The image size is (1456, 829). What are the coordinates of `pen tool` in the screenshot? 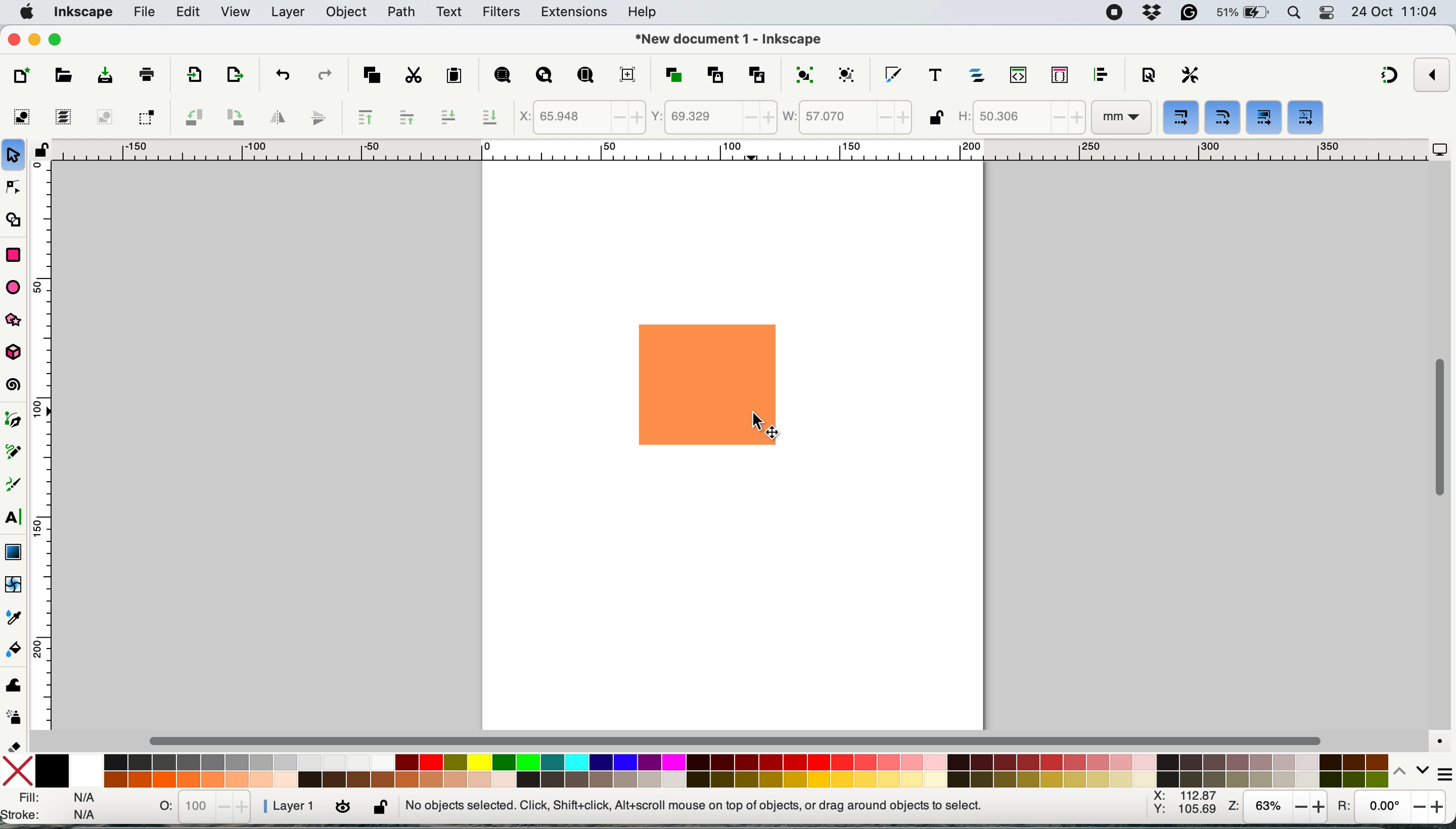 It's located at (16, 420).